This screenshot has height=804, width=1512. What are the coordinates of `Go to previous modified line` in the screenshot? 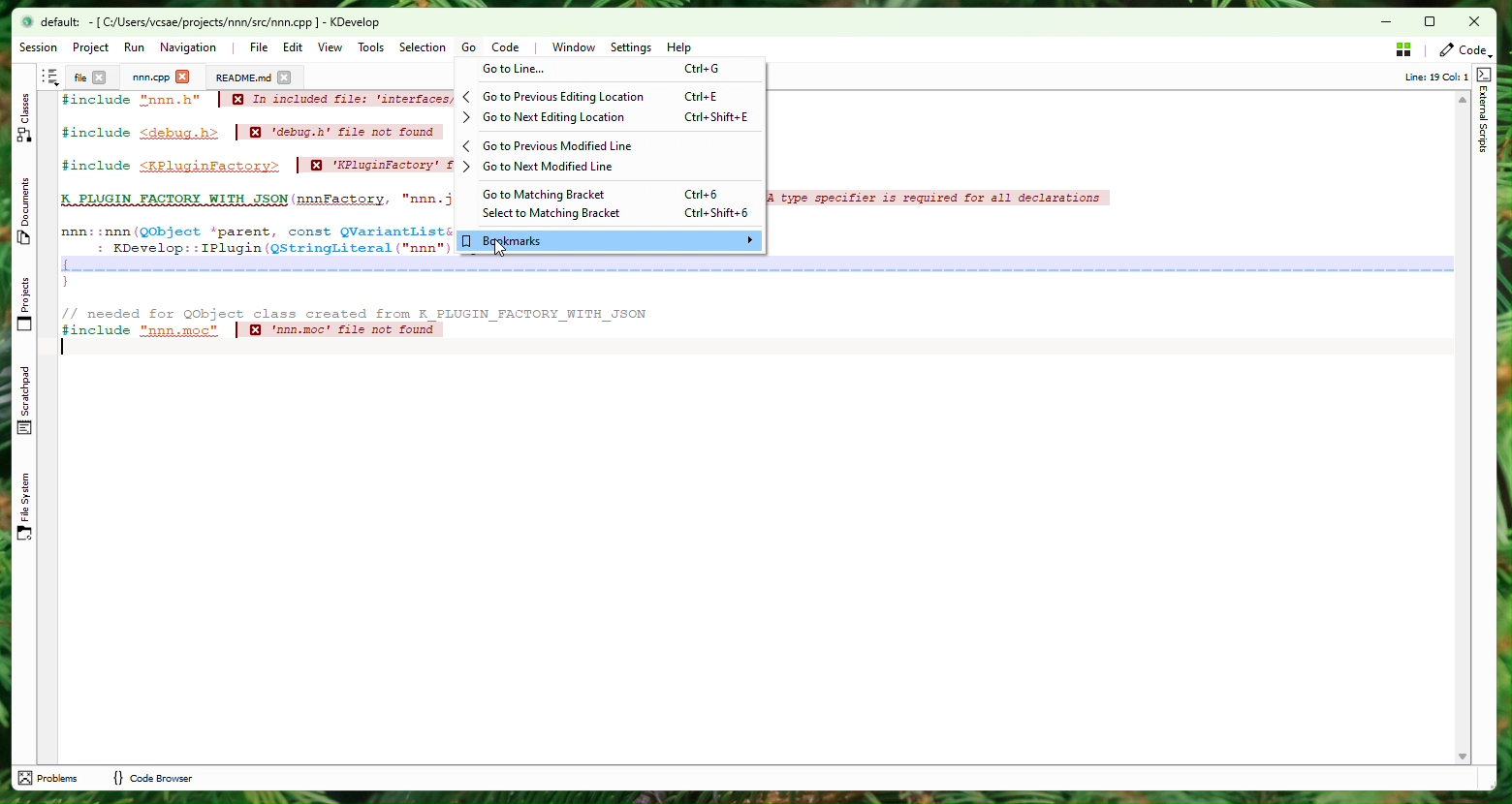 It's located at (610, 146).